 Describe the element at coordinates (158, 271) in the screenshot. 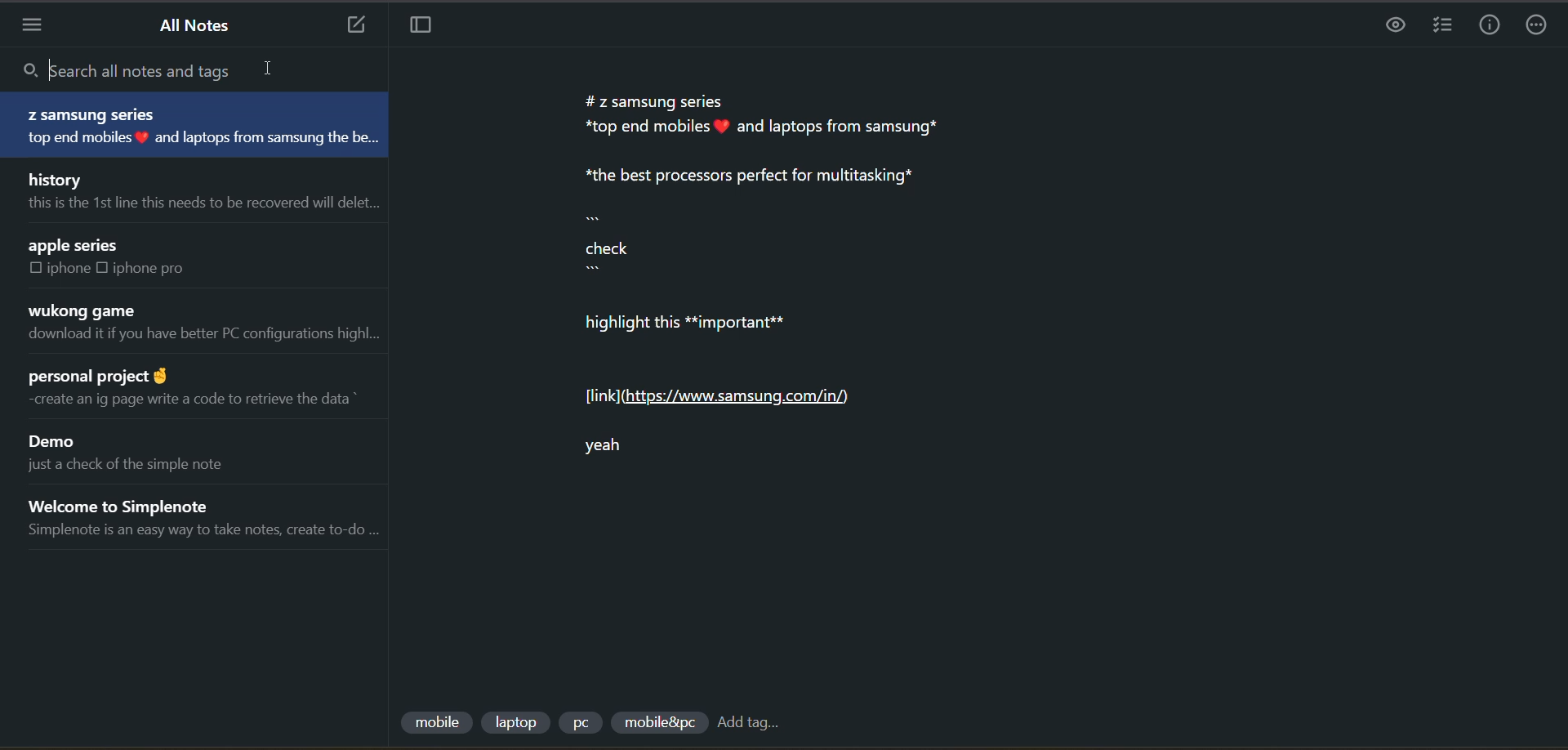

I see ` iphone pro` at that location.